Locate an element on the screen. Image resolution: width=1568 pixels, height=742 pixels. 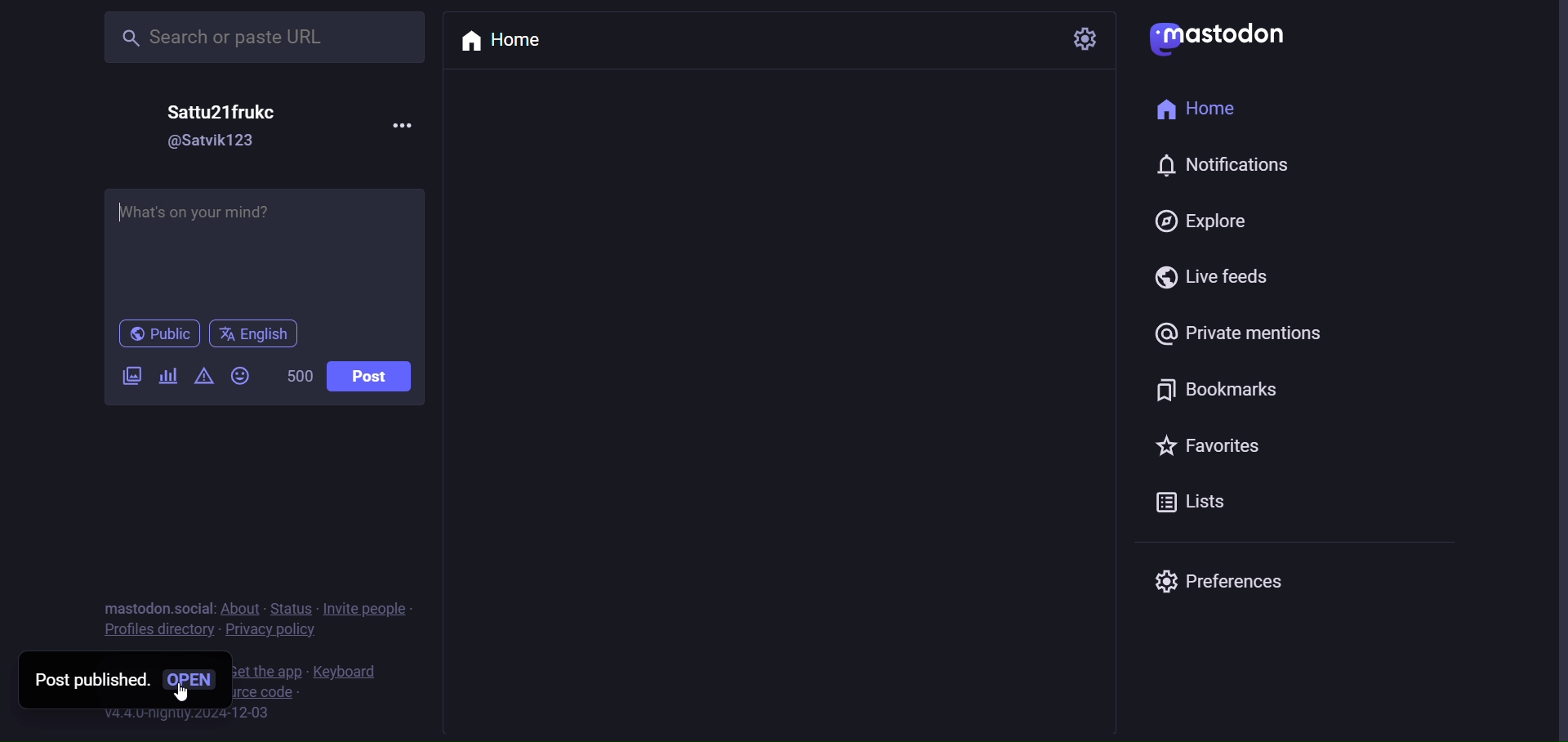
invite people is located at coordinates (370, 603).